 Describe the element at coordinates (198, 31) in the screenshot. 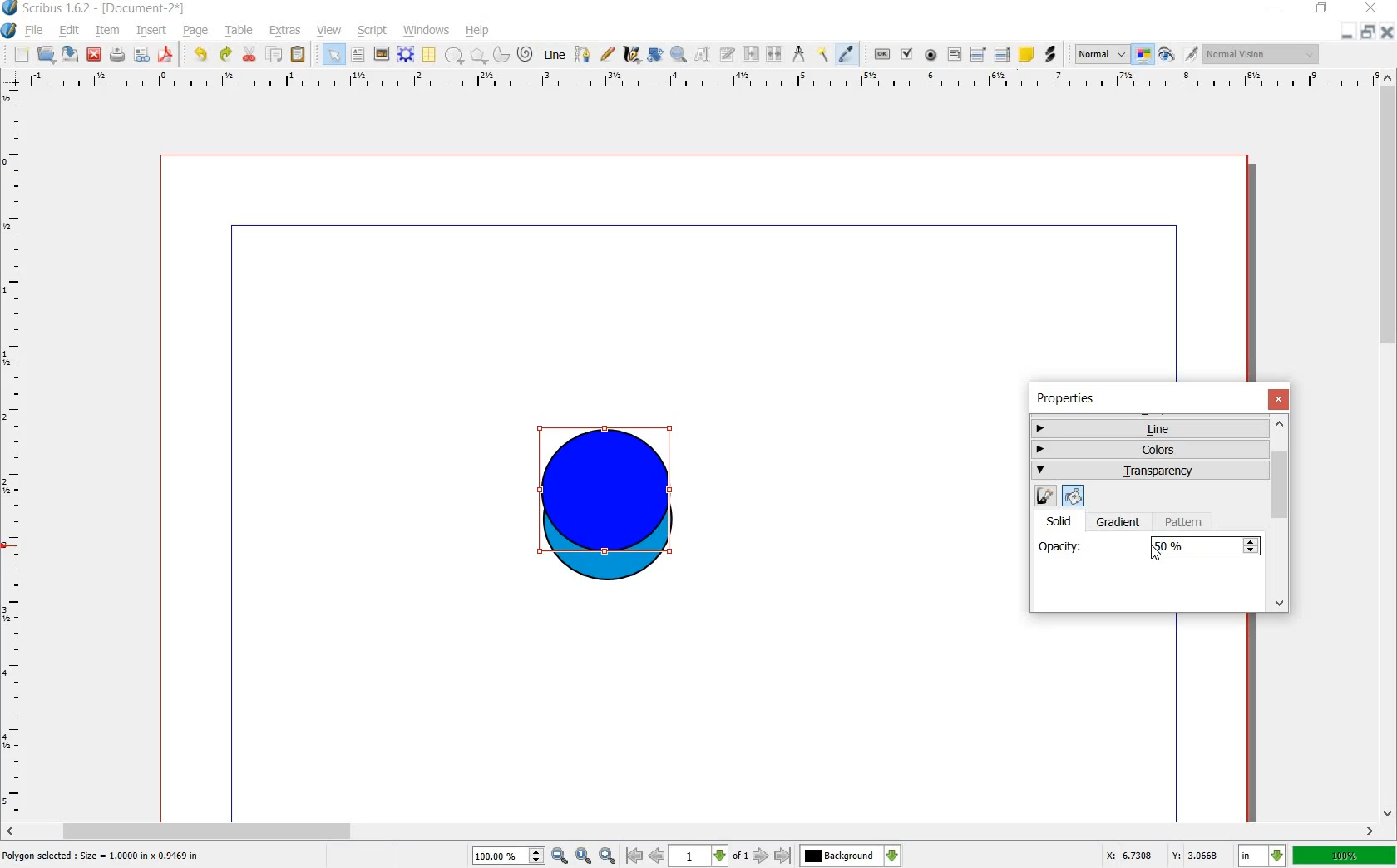

I see `page` at that location.